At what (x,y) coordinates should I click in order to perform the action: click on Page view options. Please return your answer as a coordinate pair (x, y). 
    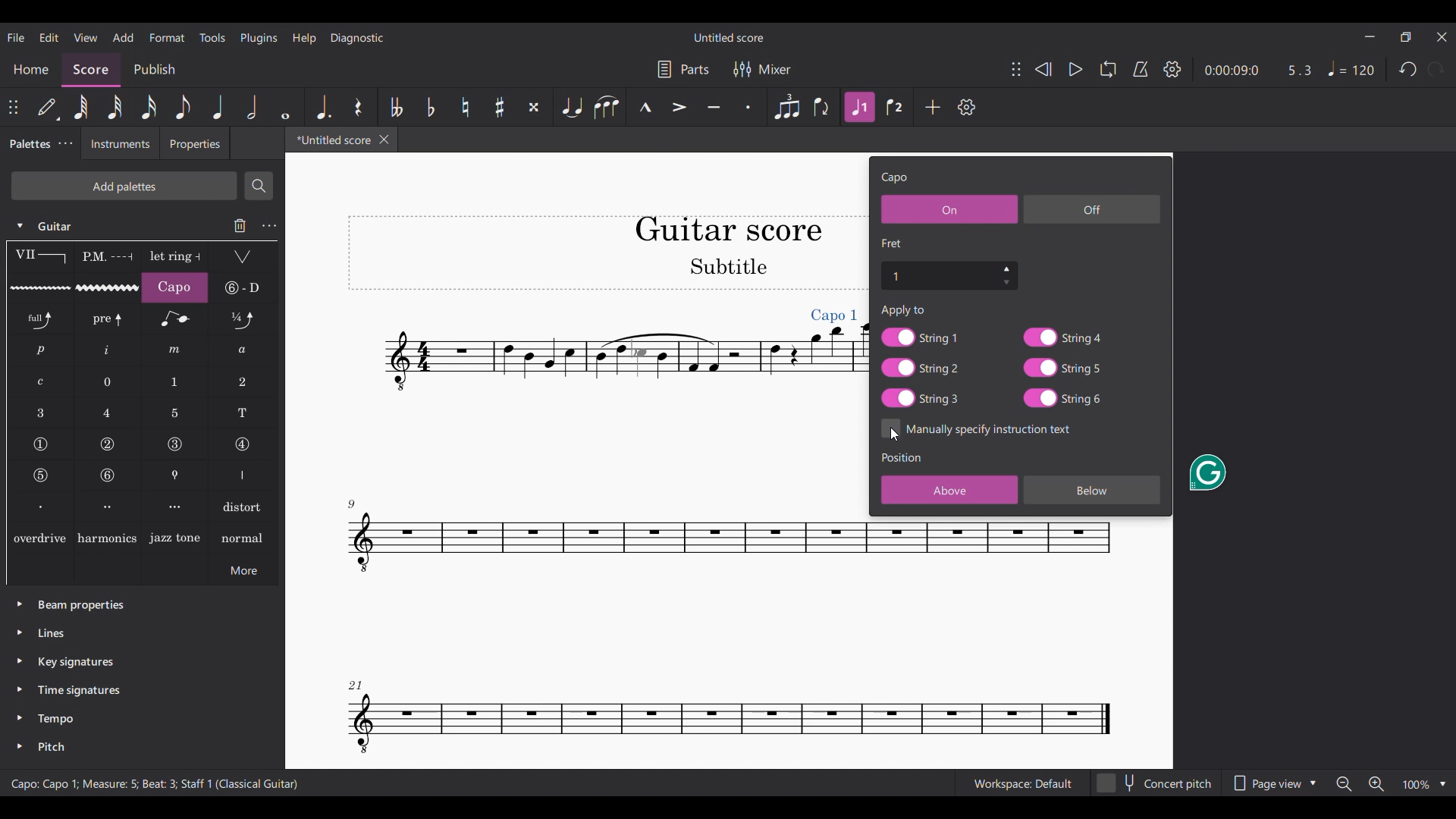
    Looking at the image, I should click on (1275, 783).